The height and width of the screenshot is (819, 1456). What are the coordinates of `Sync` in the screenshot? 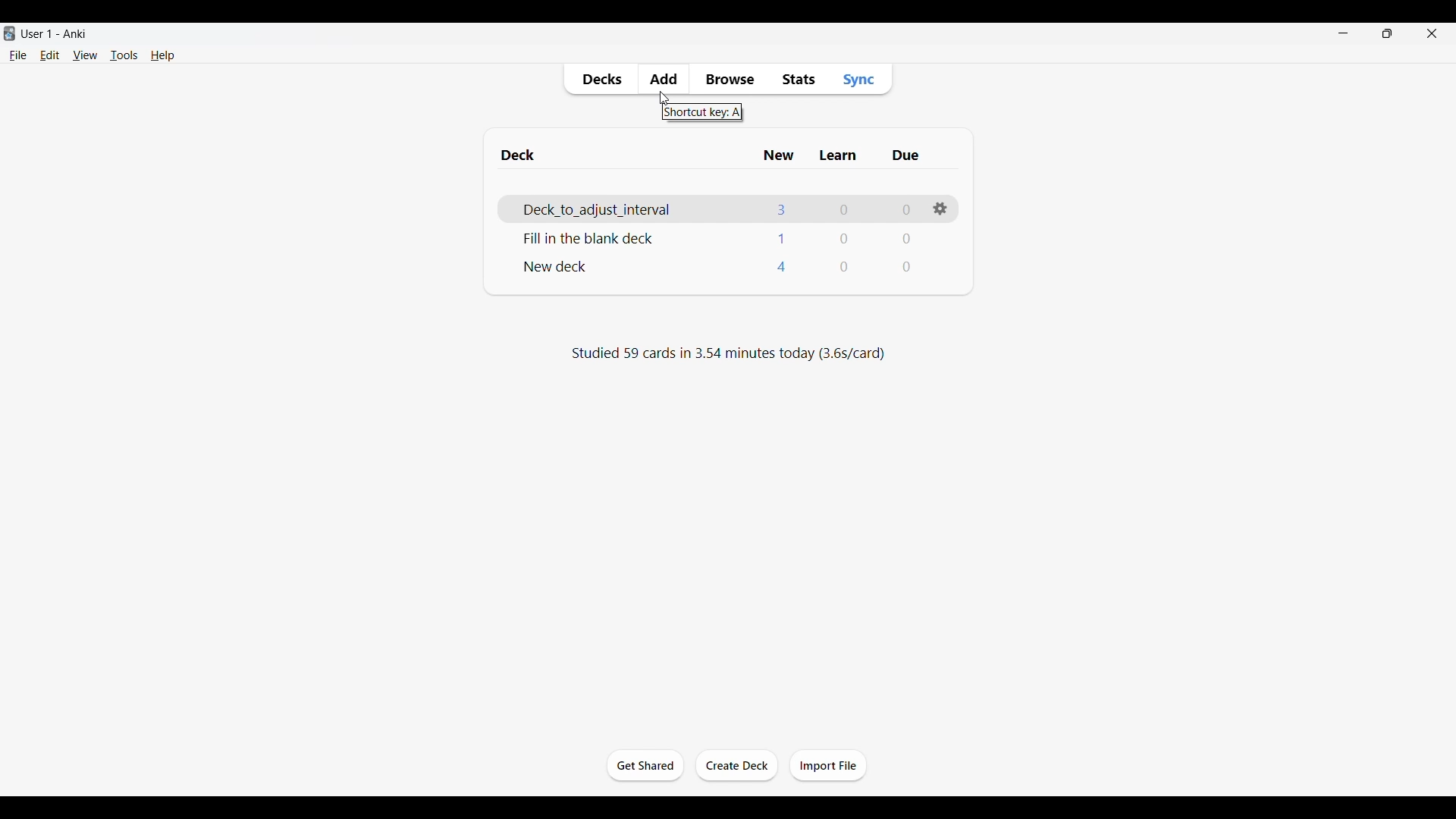 It's located at (858, 79).